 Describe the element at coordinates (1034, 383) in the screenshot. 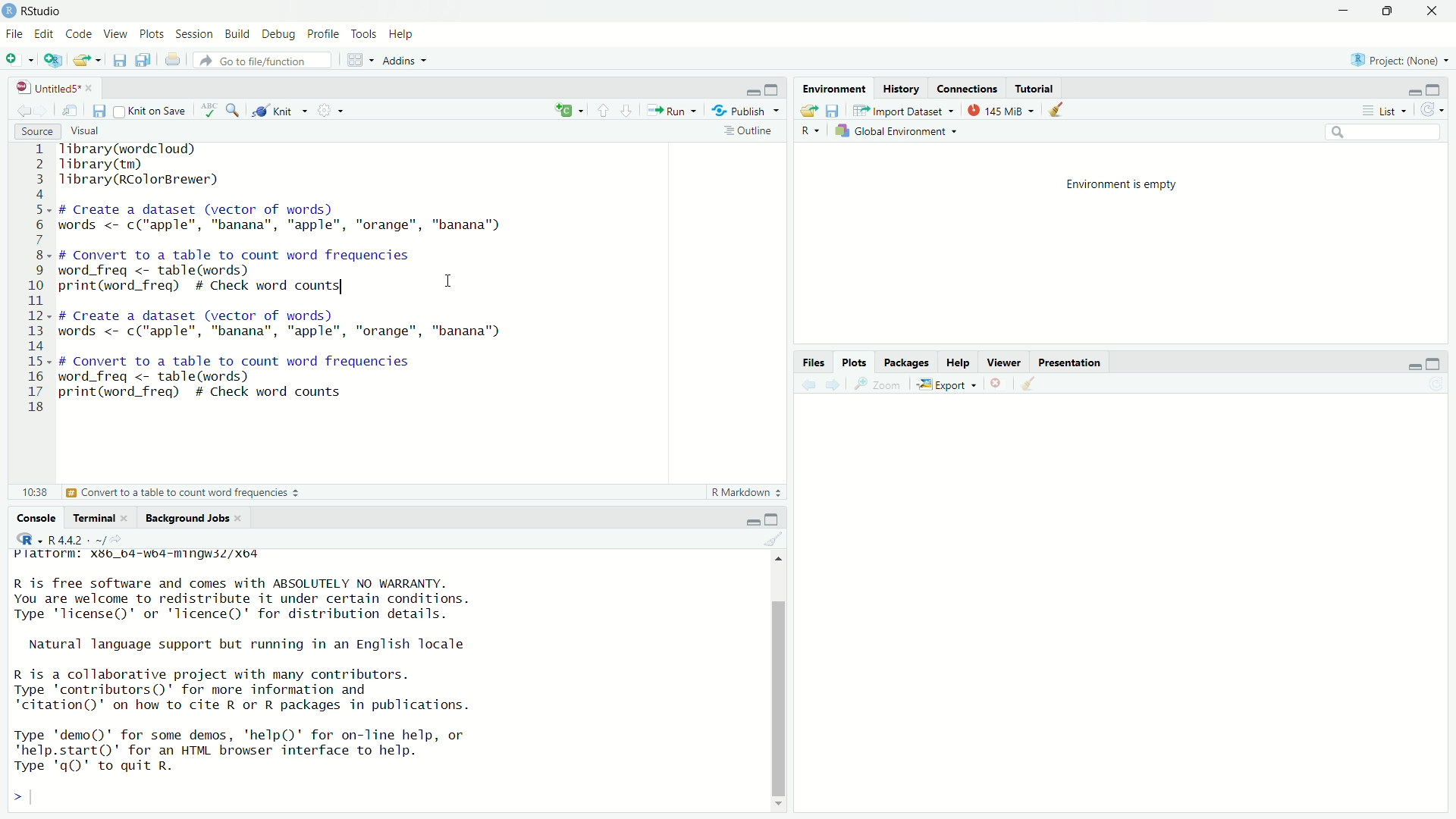

I see `Clear Console` at that location.